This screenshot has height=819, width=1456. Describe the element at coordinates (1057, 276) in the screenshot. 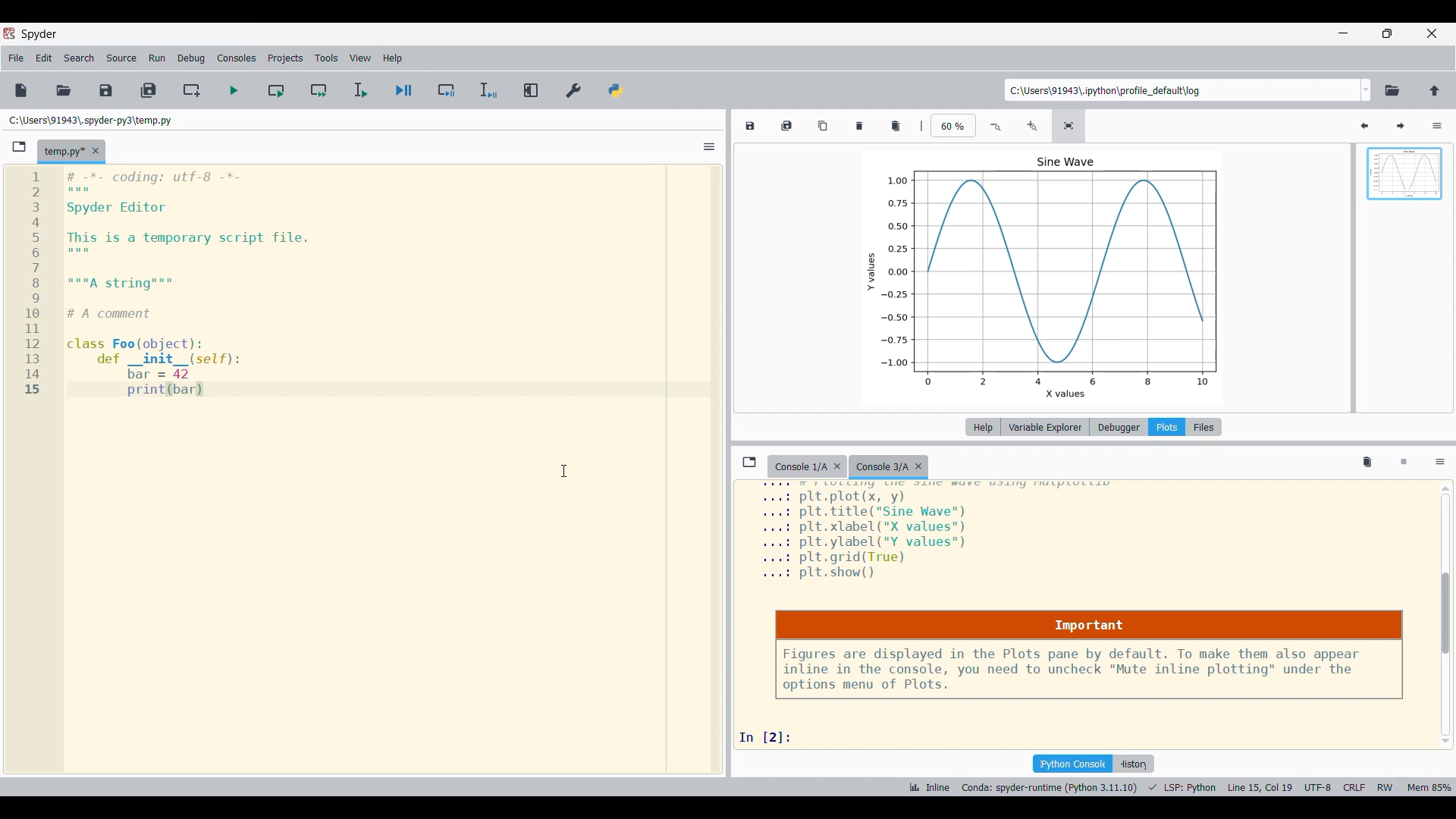

I see `chart within plot pane` at that location.